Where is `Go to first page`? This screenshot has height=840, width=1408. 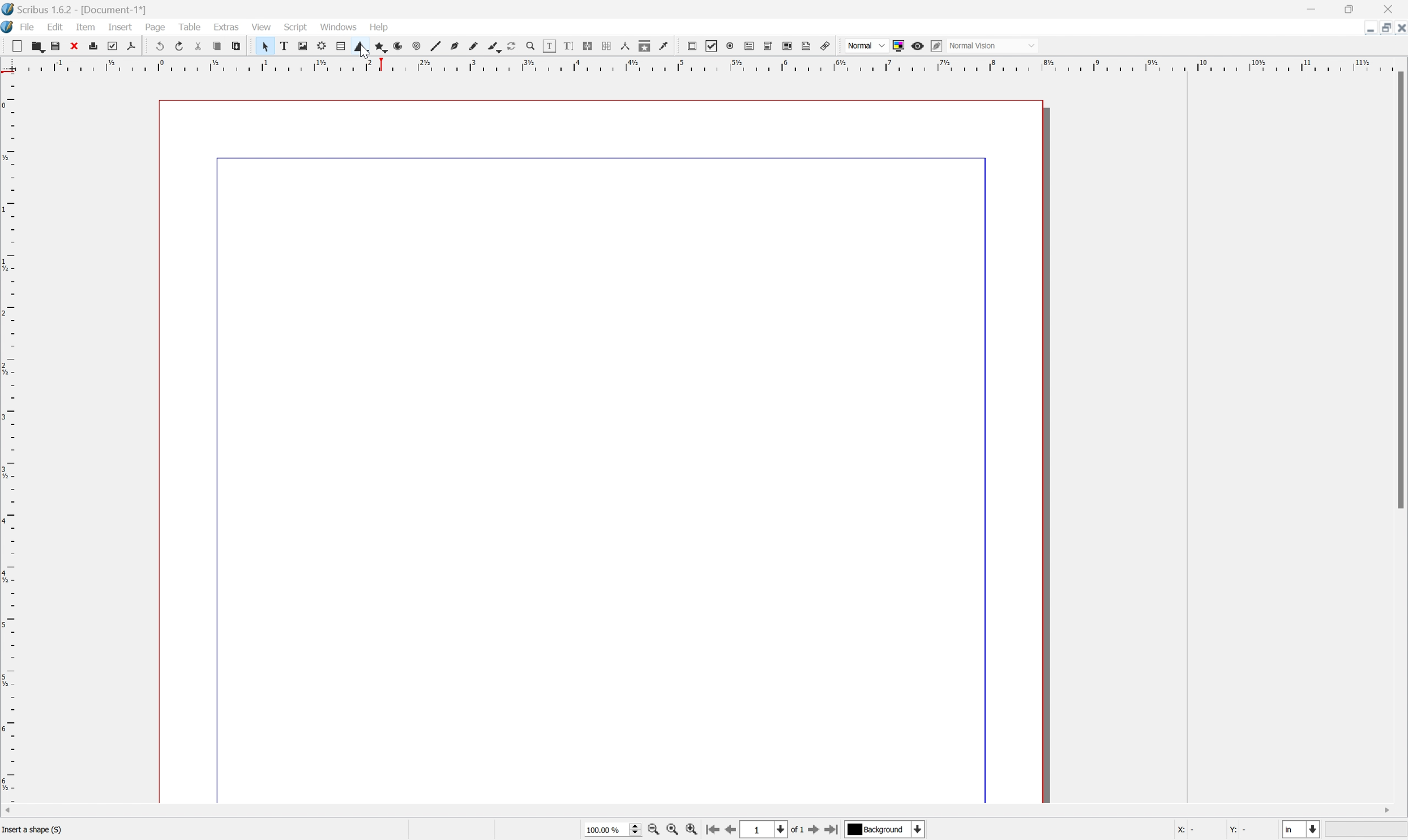 Go to first page is located at coordinates (712, 830).